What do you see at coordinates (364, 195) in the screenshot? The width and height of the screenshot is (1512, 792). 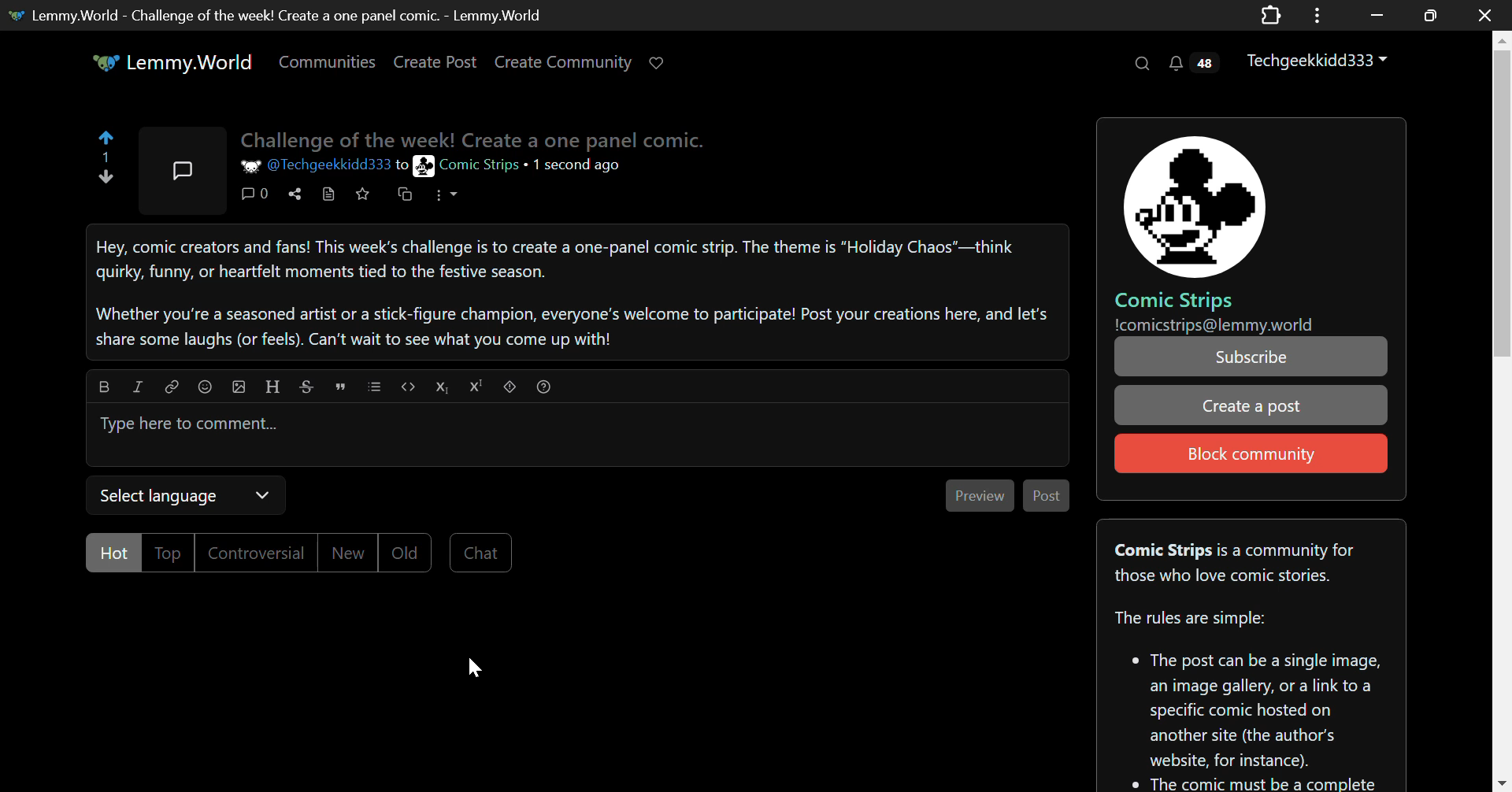 I see `Save` at bounding box center [364, 195].